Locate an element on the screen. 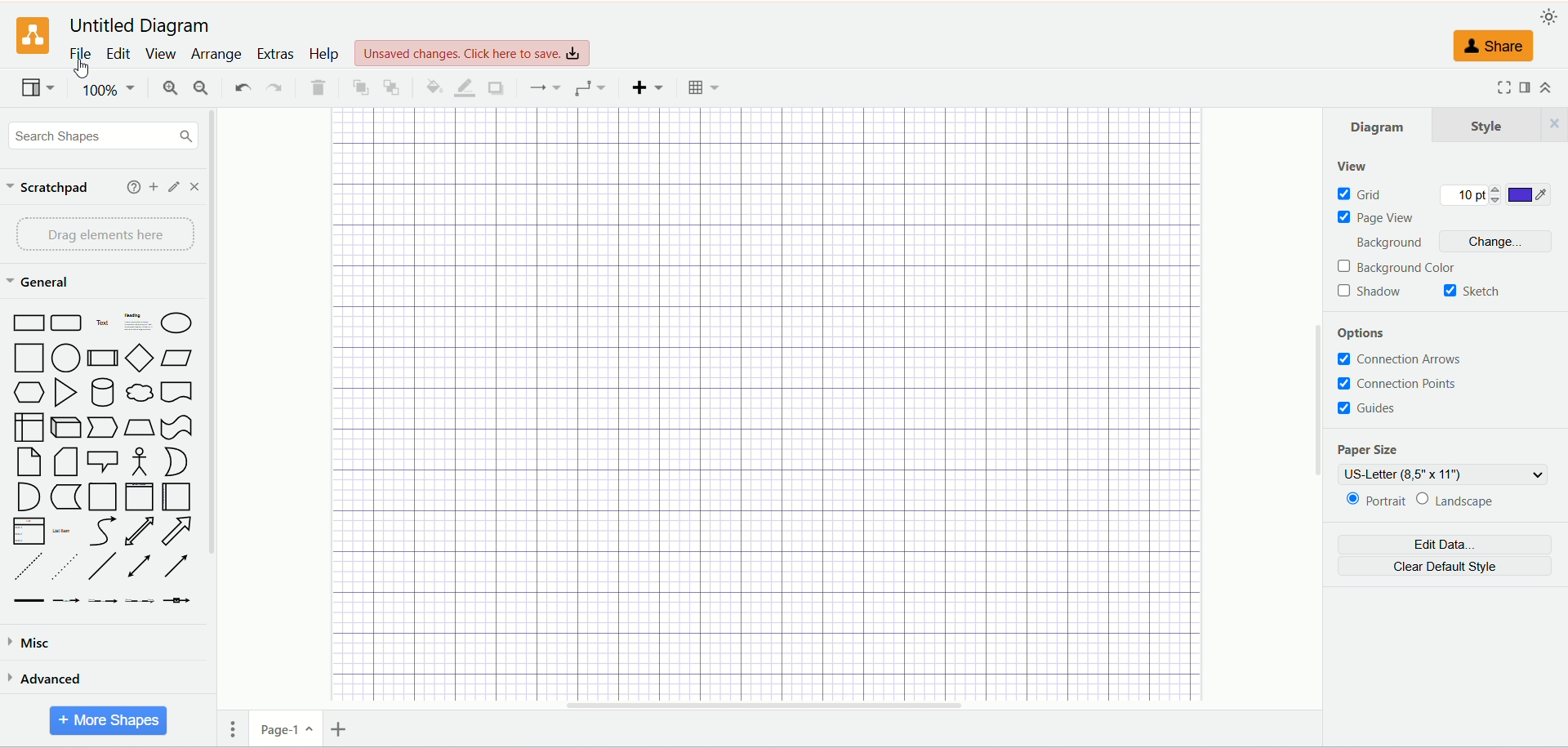 The width and height of the screenshot is (1568, 748). title is located at coordinates (137, 24).